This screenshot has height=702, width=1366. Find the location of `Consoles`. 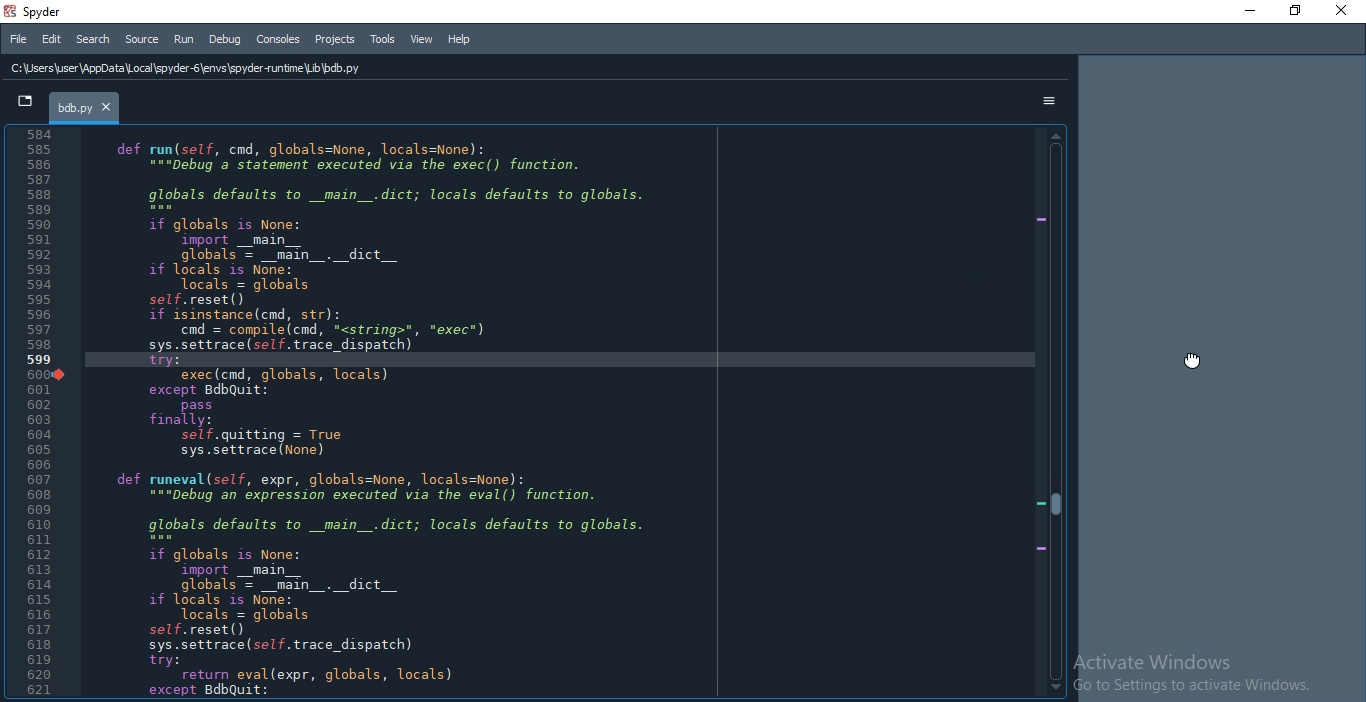

Consoles is located at coordinates (277, 39).